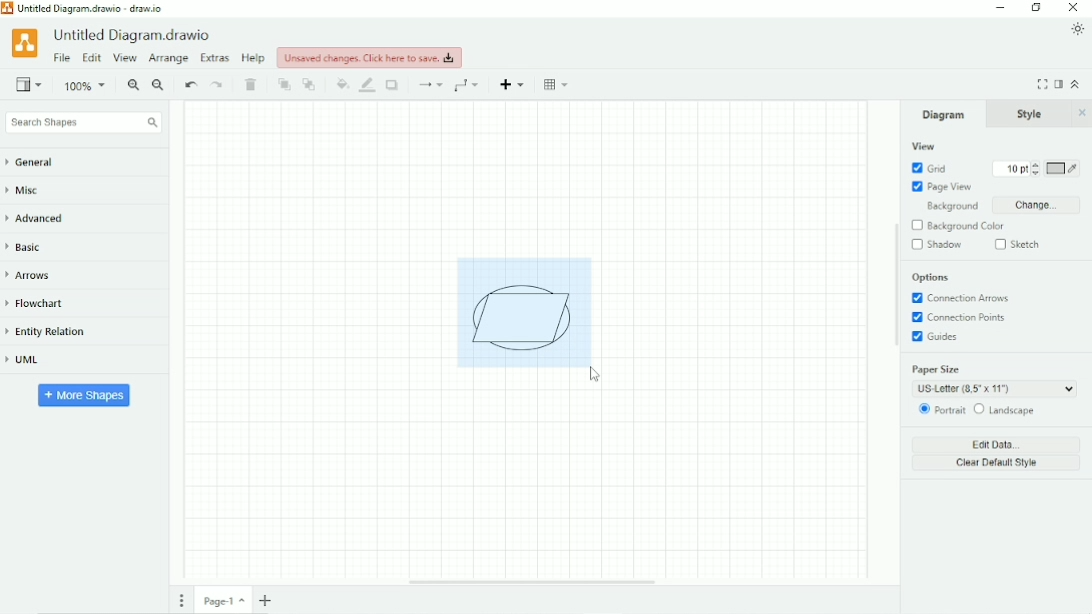 The width and height of the screenshot is (1092, 614). What do you see at coordinates (43, 304) in the screenshot?
I see `Flowchart` at bounding box center [43, 304].